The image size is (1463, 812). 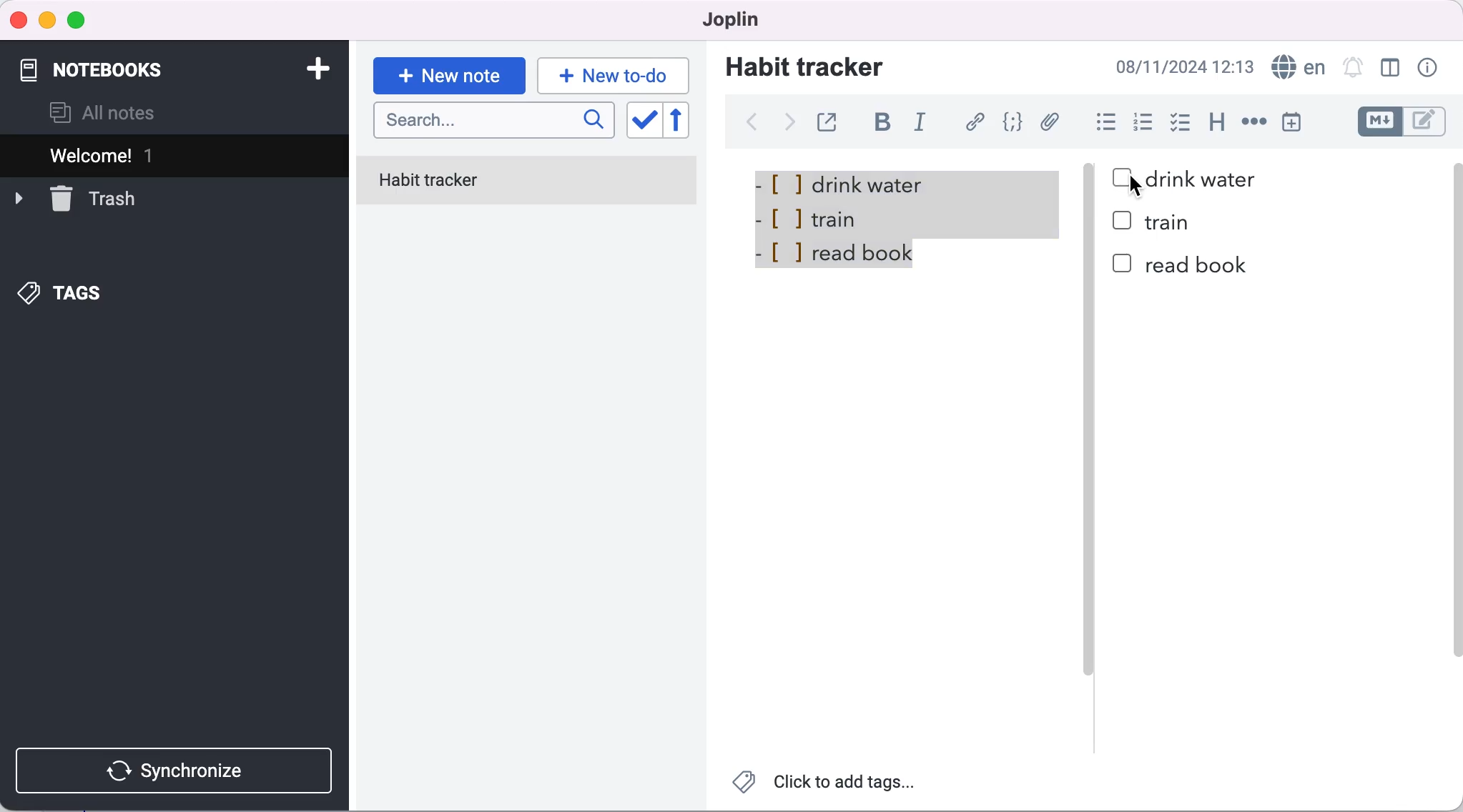 What do you see at coordinates (1173, 224) in the screenshot?
I see `Train` at bounding box center [1173, 224].